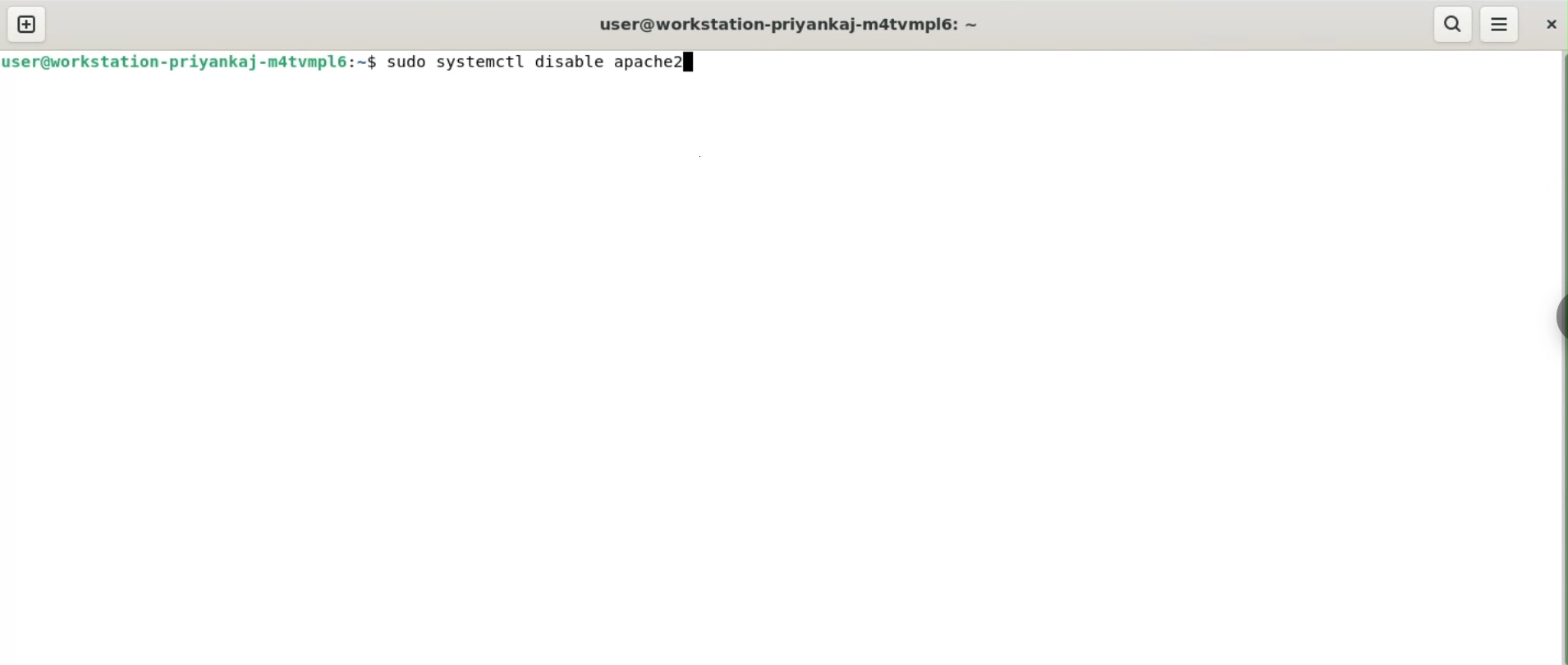  What do you see at coordinates (691, 62) in the screenshot?
I see `Terminal cursor` at bounding box center [691, 62].